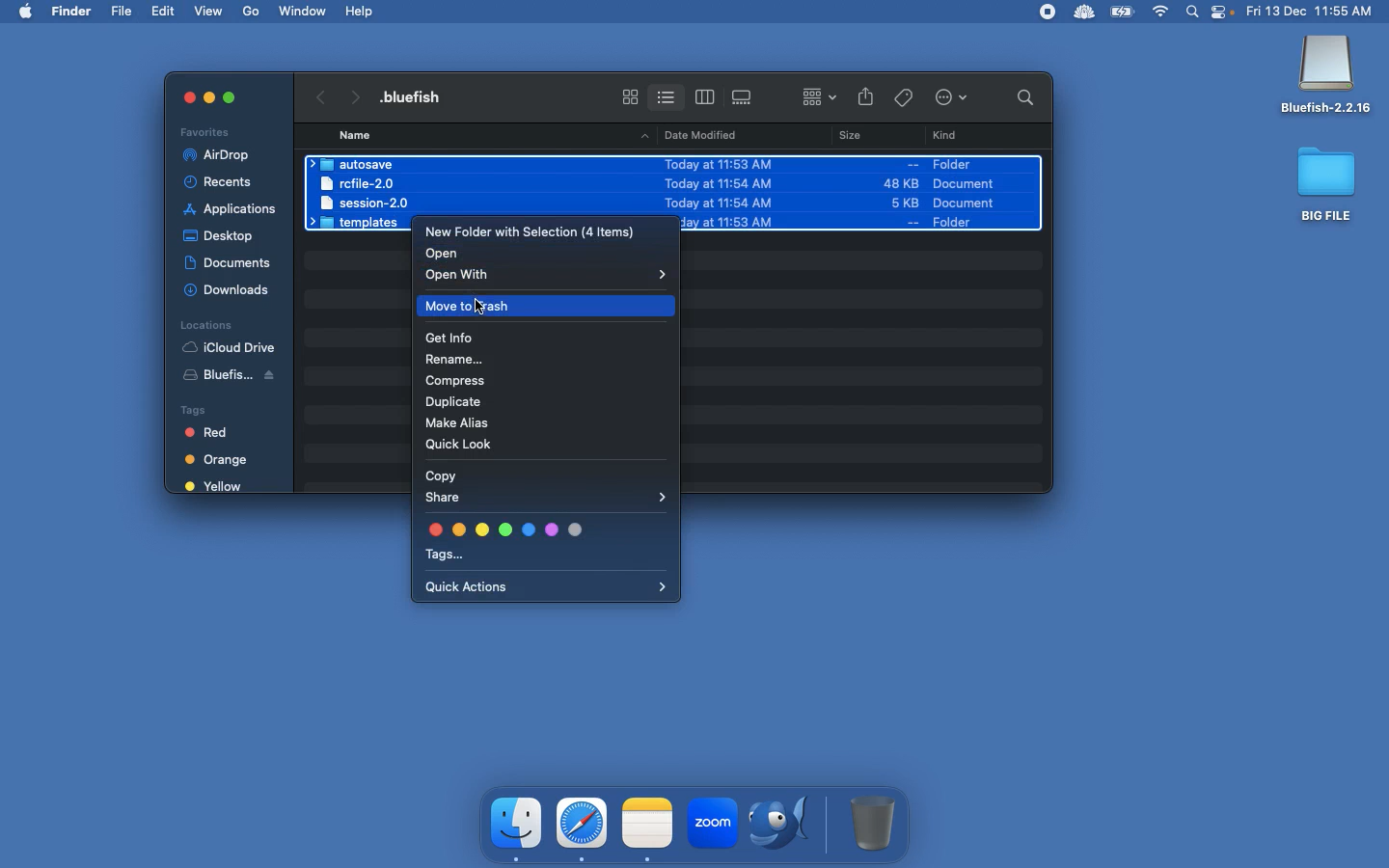  What do you see at coordinates (1064, 12) in the screenshot?
I see `Extensions` at bounding box center [1064, 12].